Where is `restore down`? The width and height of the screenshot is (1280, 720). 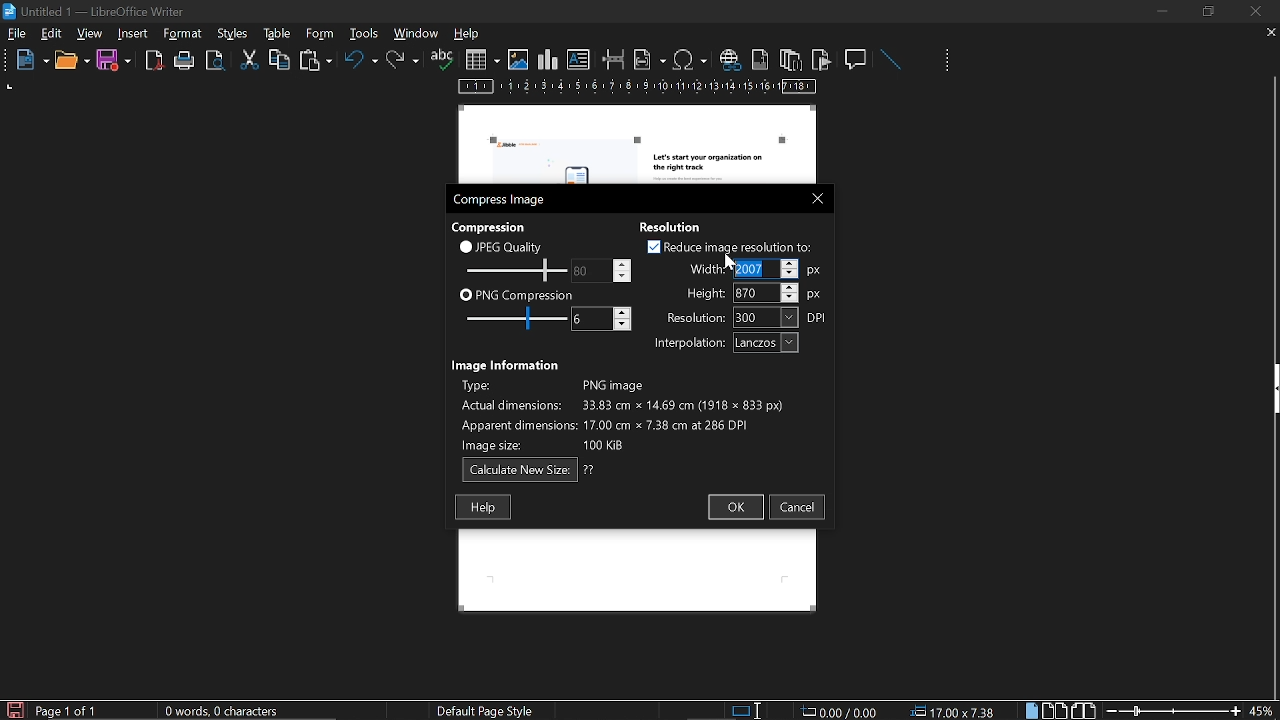
restore down is located at coordinates (1211, 11).